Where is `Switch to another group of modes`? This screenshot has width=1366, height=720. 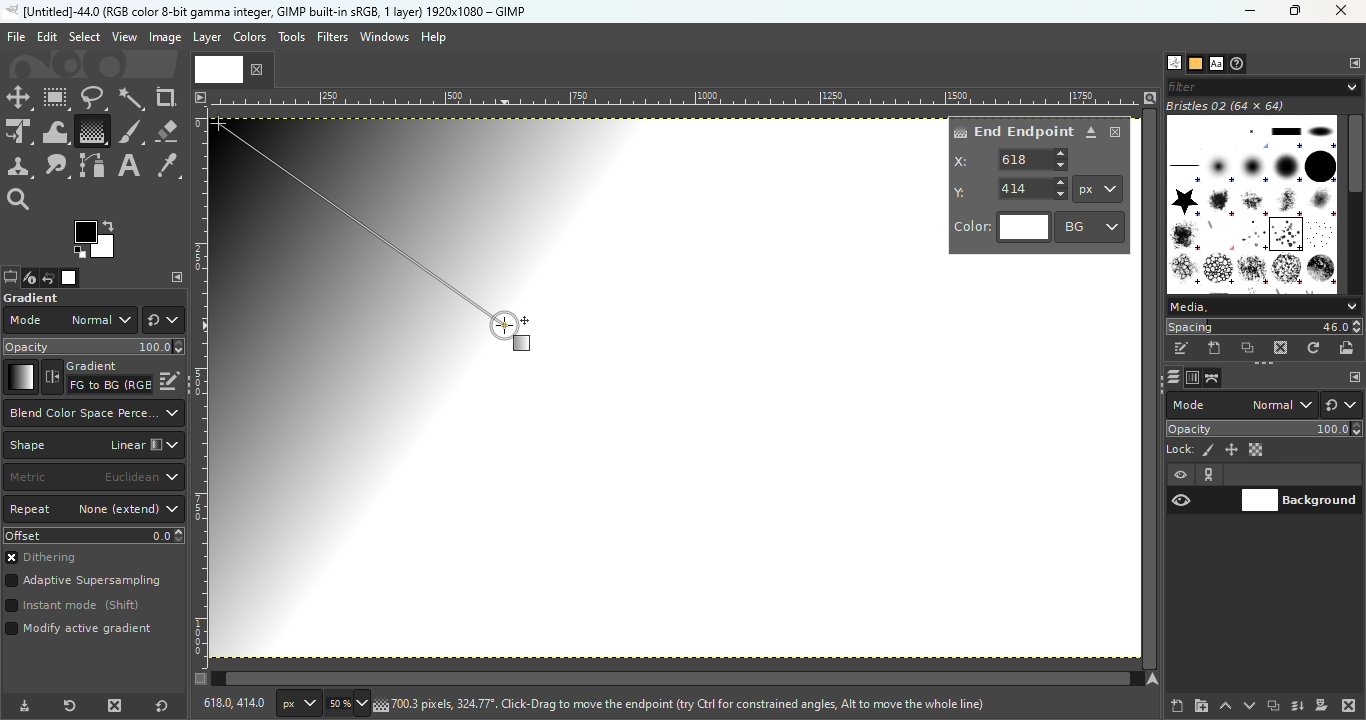 Switch to another group of modes is located at coordinates (1345, 405).